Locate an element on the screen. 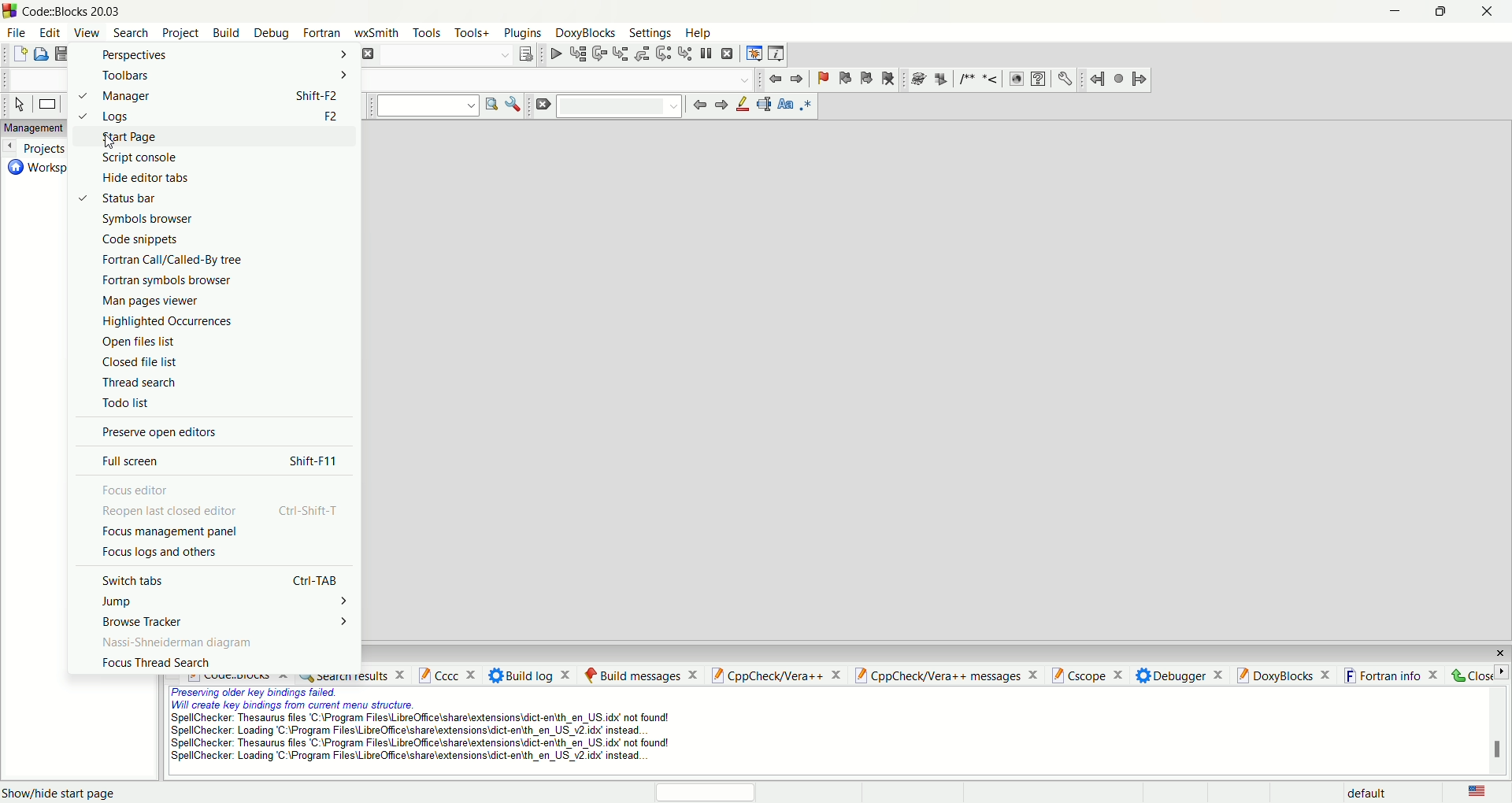  Search is located at coordinates (620, 106).